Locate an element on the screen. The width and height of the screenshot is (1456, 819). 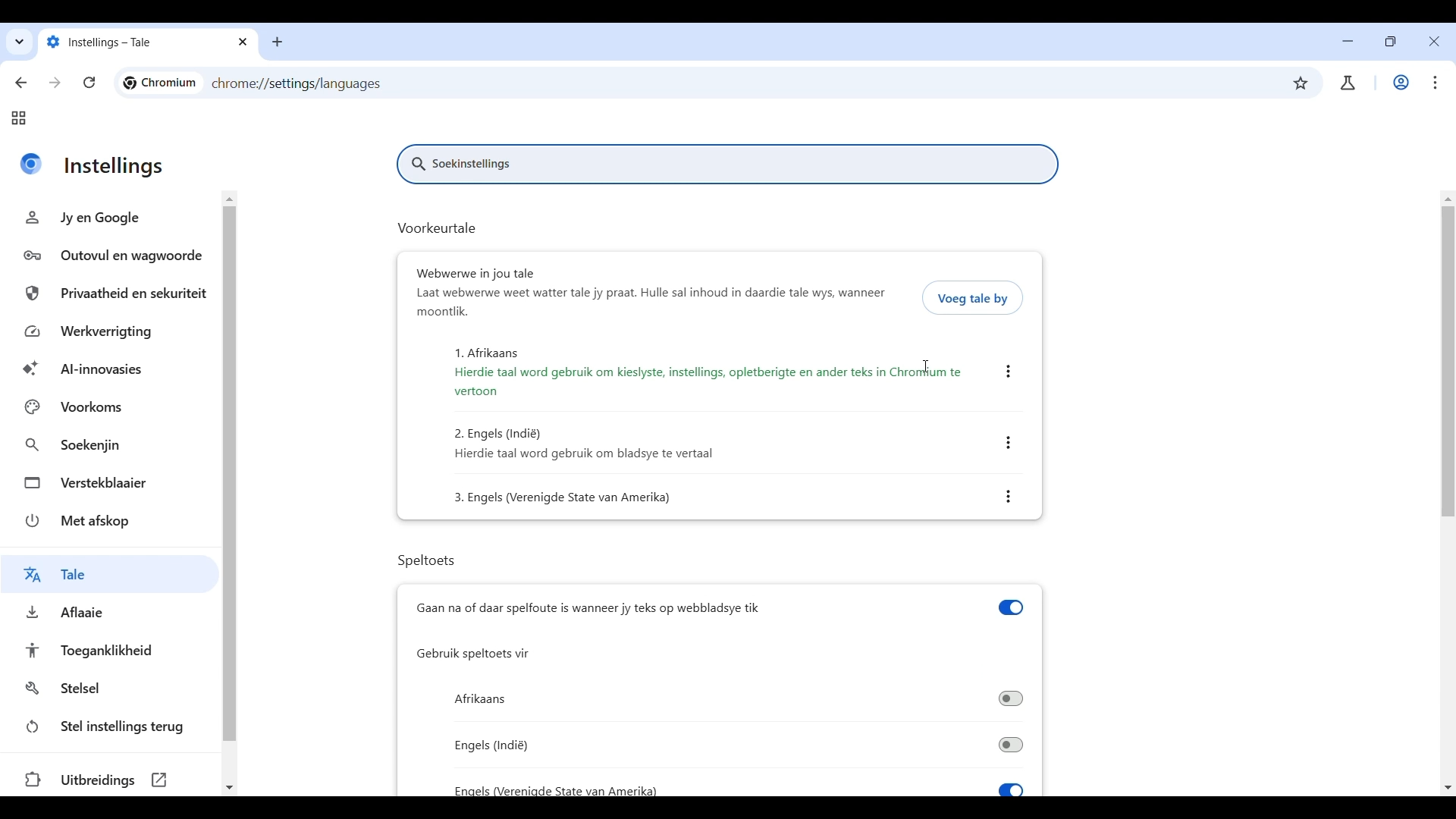
vertical side bar is located at coordinates (231, 474).